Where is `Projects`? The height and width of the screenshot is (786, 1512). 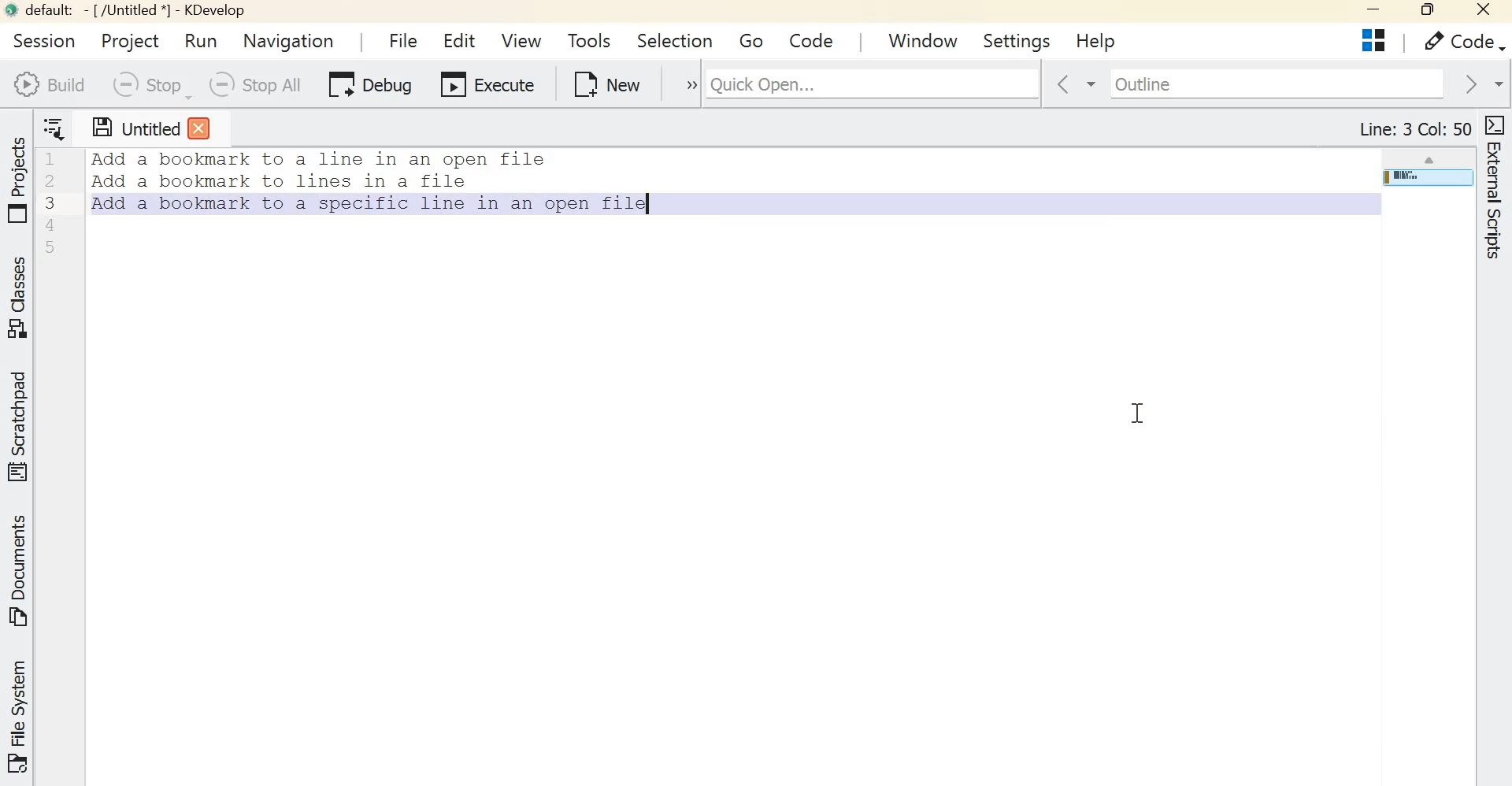 Projects is located at coordinates (1377, 42).